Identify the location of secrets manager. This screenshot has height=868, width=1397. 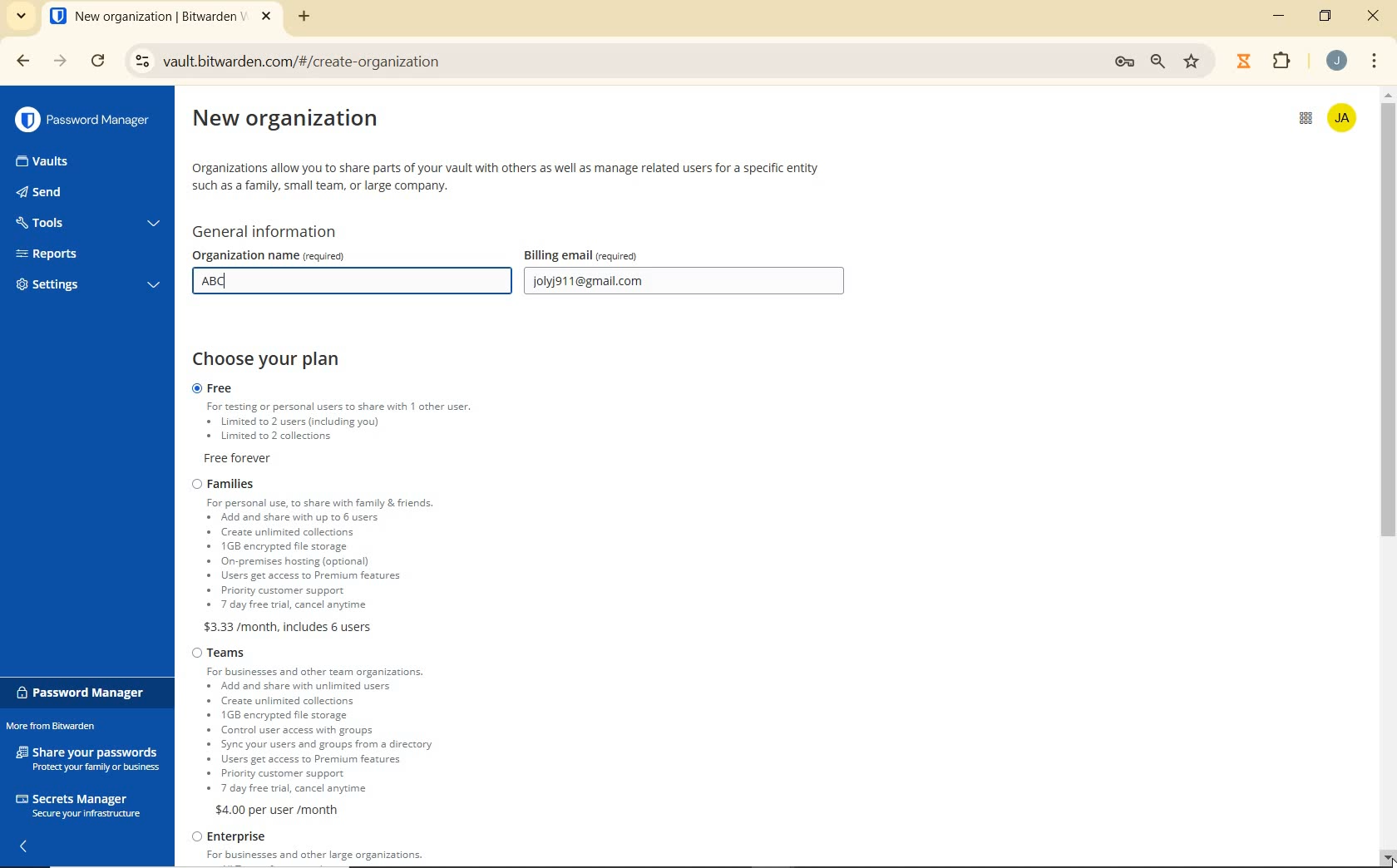
(78, 803).